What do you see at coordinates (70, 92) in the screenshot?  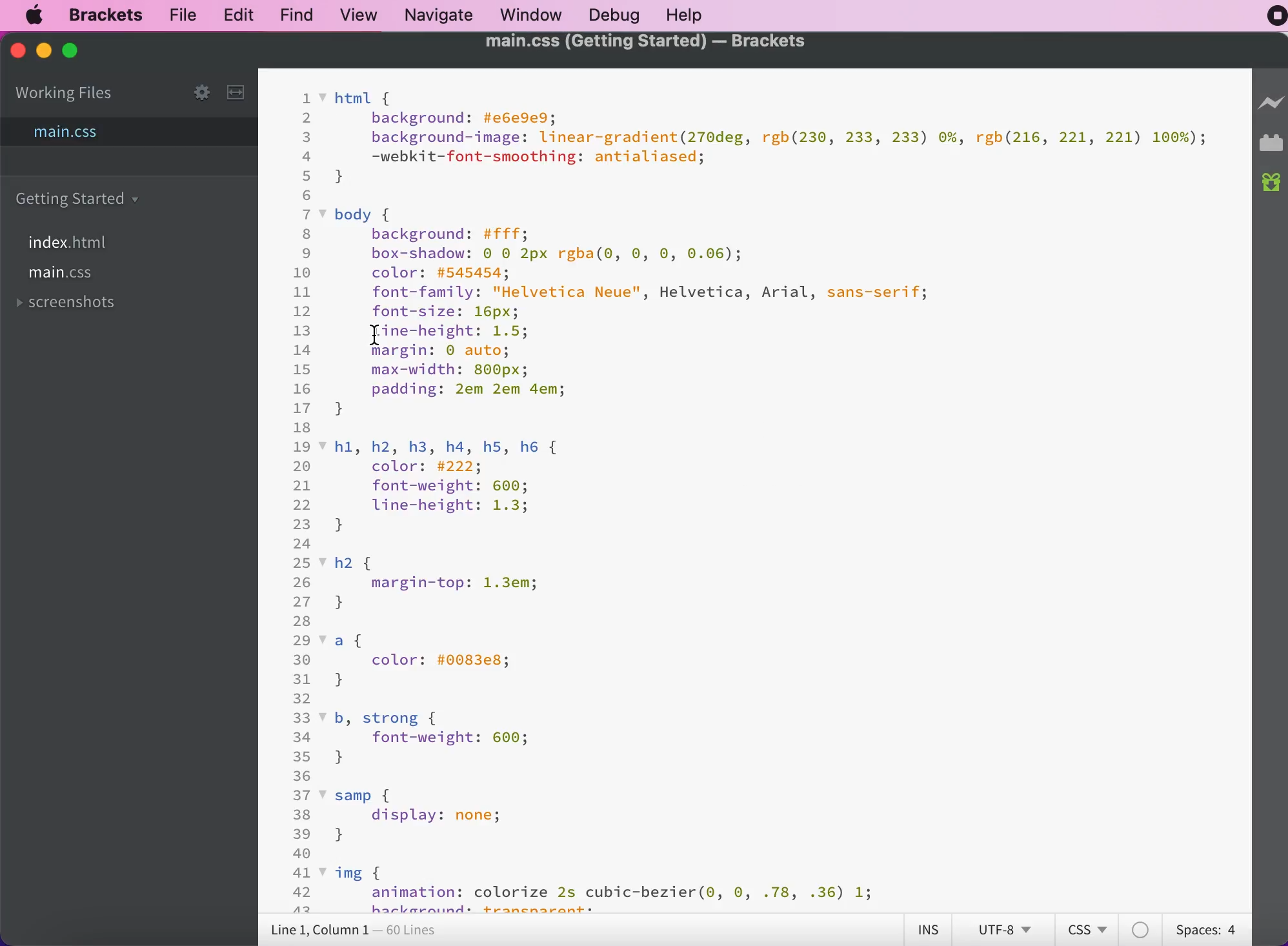 I see `working files` at bounding box center [70, 92].